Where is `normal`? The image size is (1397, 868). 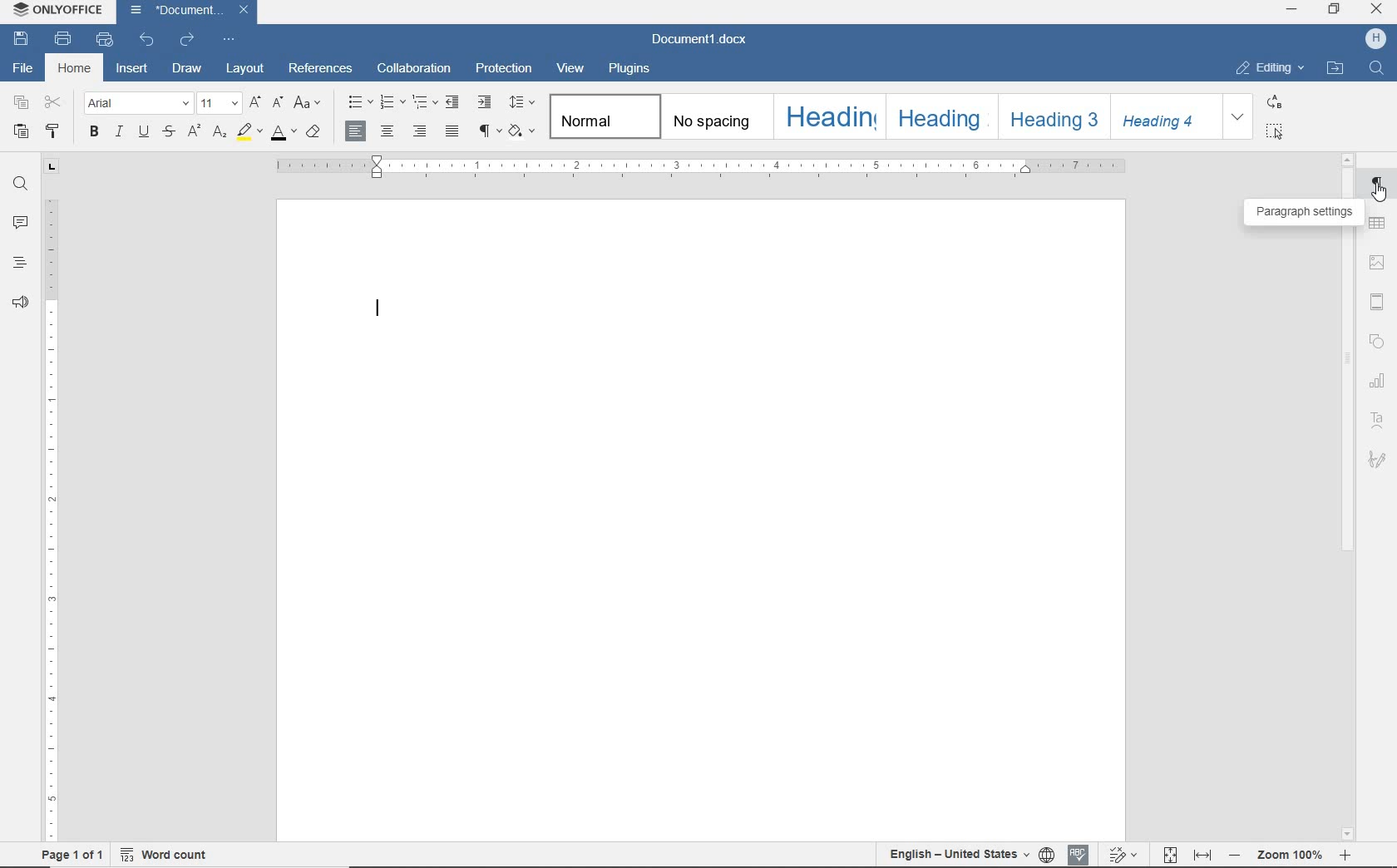 normal is located at coordinates (605, 117).